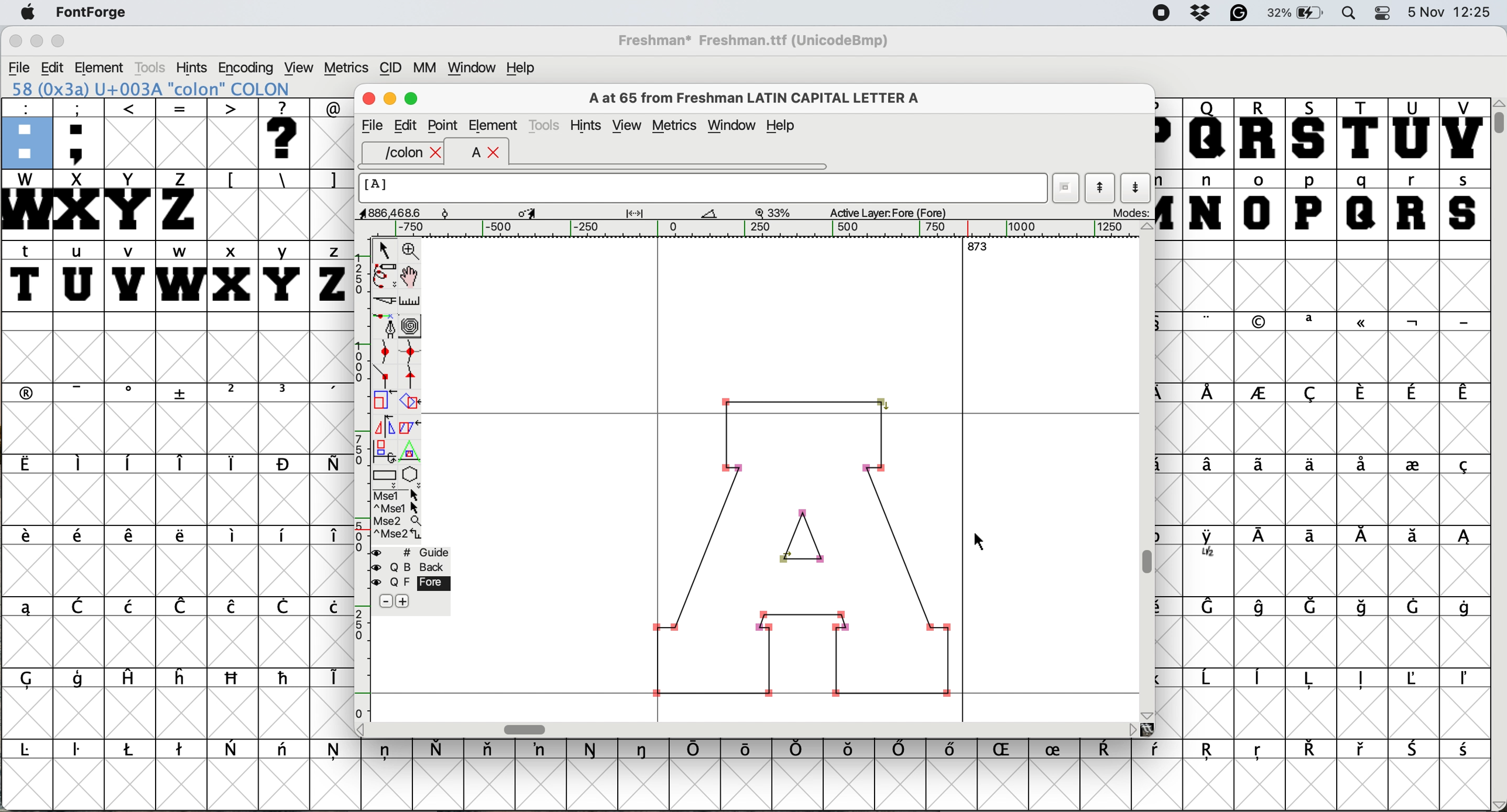 This screenshot has height=812, width=1507. What do you see at coordinates (1259, 394) in the screenshot?
I see `symbol` at bounding box center [1259, 394].